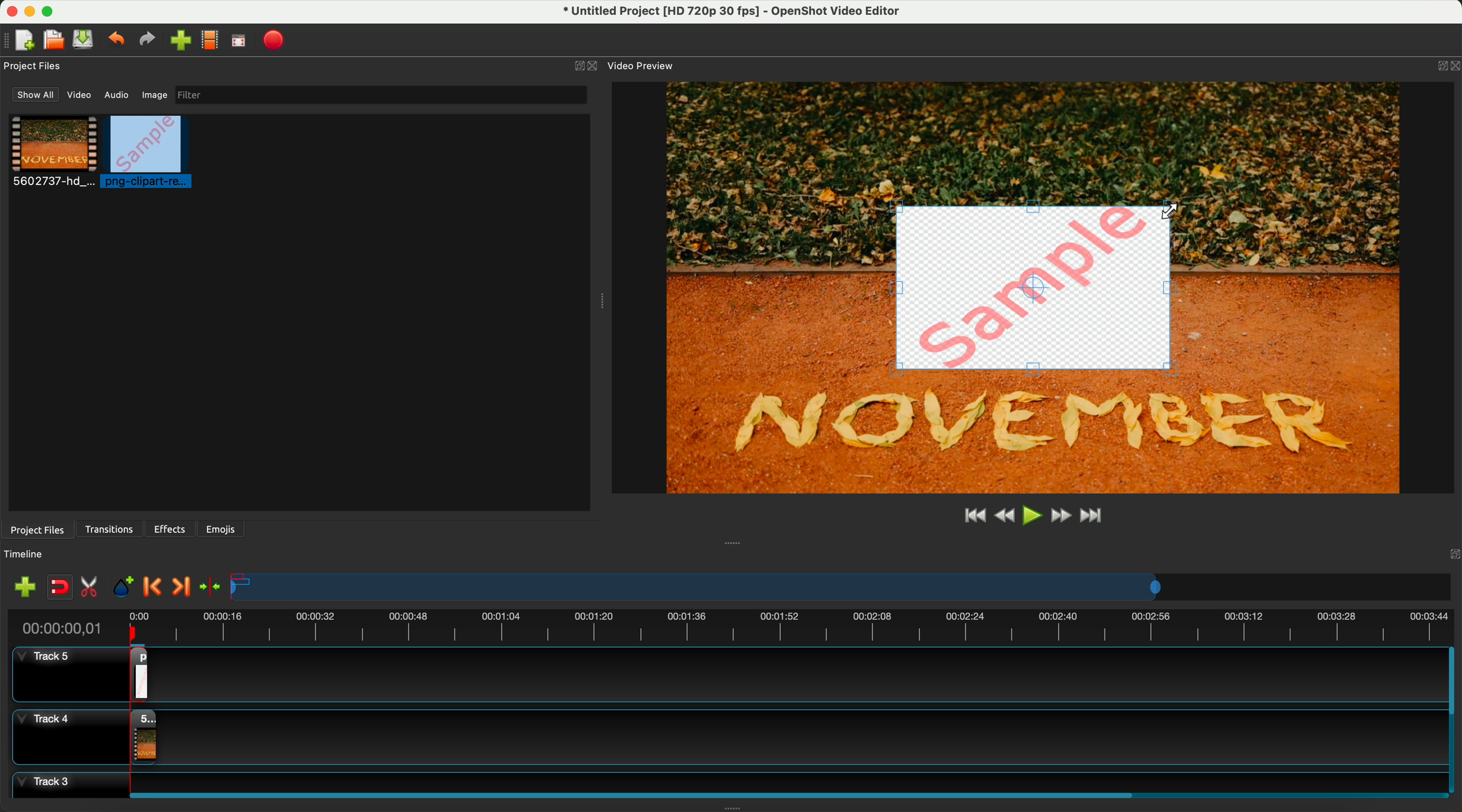  What do you see at coordinates (150, 41) in the screenshot?
I see `redo` at bounding box center [150, 41].